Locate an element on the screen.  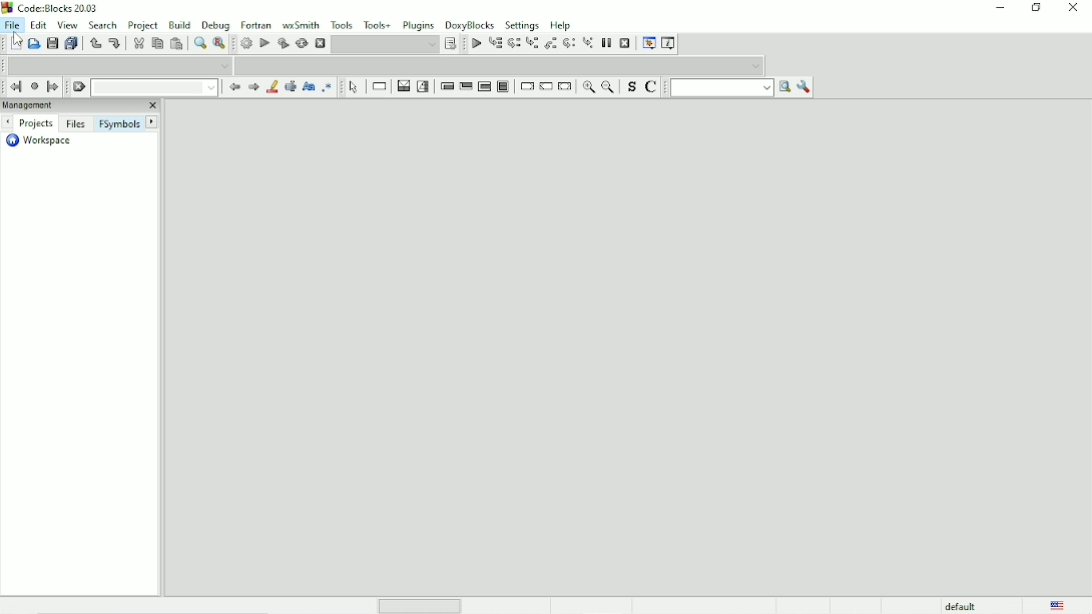
View is located at coordinates (69, 25).